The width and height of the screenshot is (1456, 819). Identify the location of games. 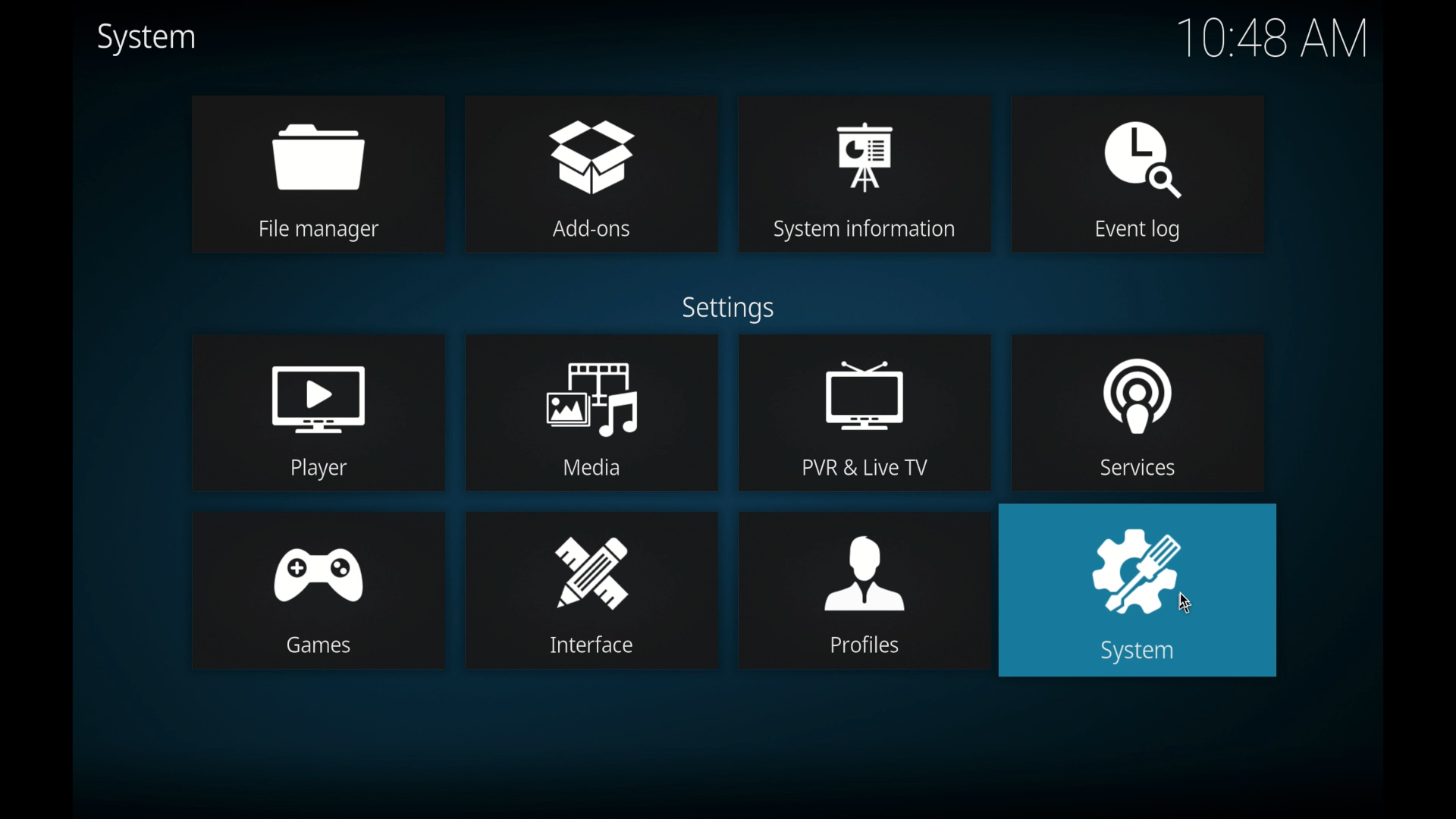
(318, 591).